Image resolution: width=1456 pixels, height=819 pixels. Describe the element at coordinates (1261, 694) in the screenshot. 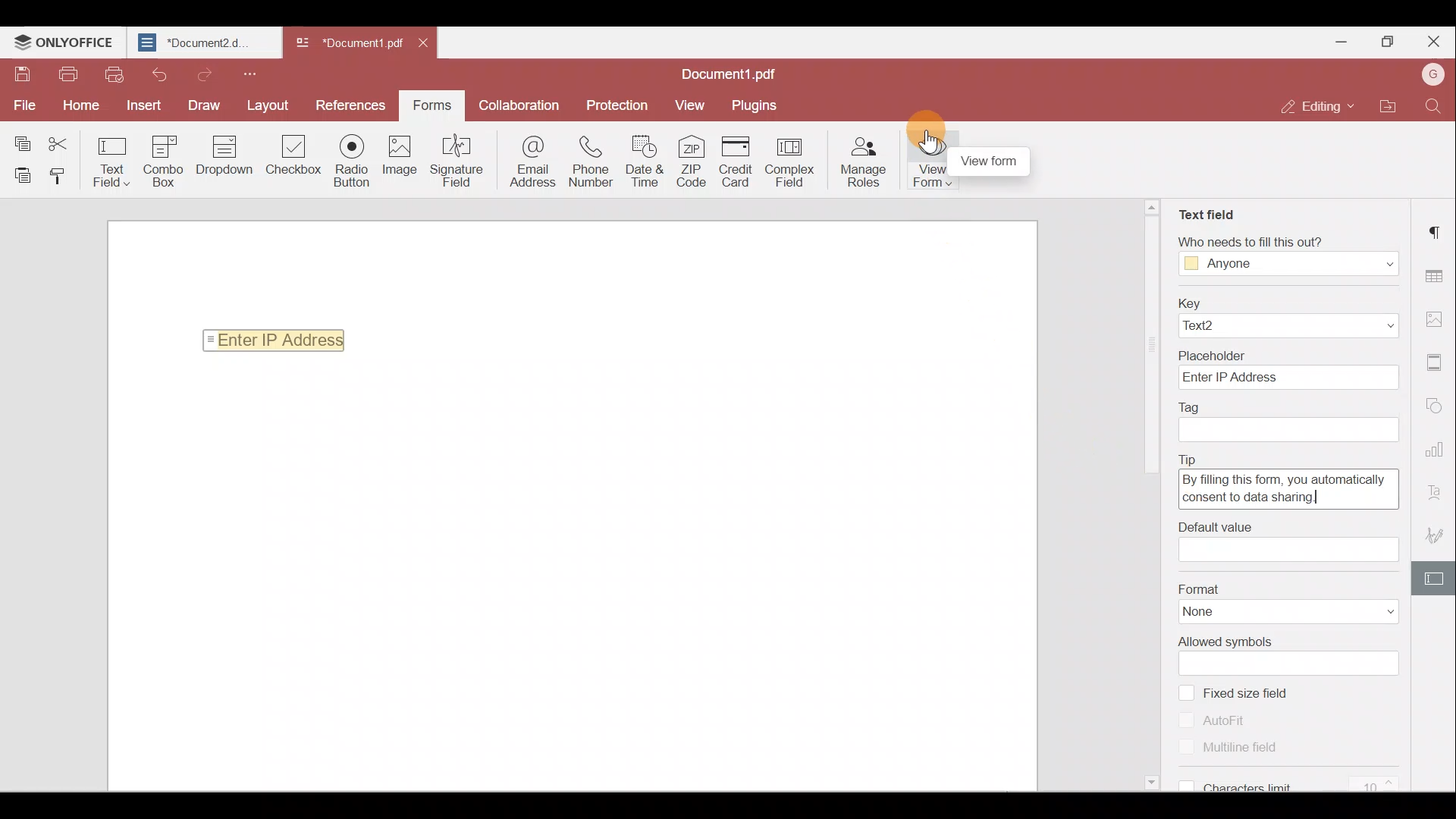

I see `Fixed size field` at that location.